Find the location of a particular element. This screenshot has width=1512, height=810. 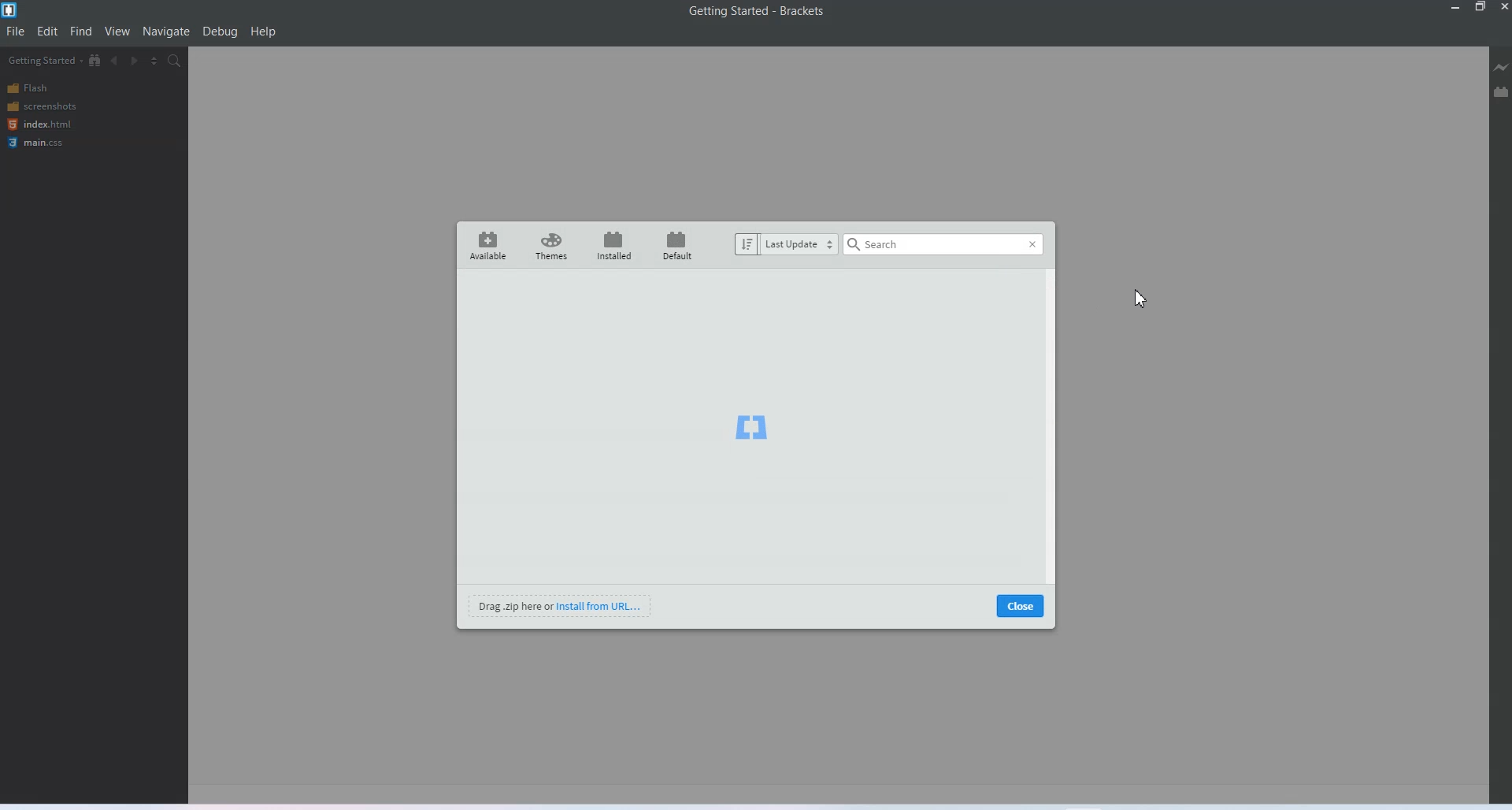

Navigate Backwards is located at coordinates (117, 61).